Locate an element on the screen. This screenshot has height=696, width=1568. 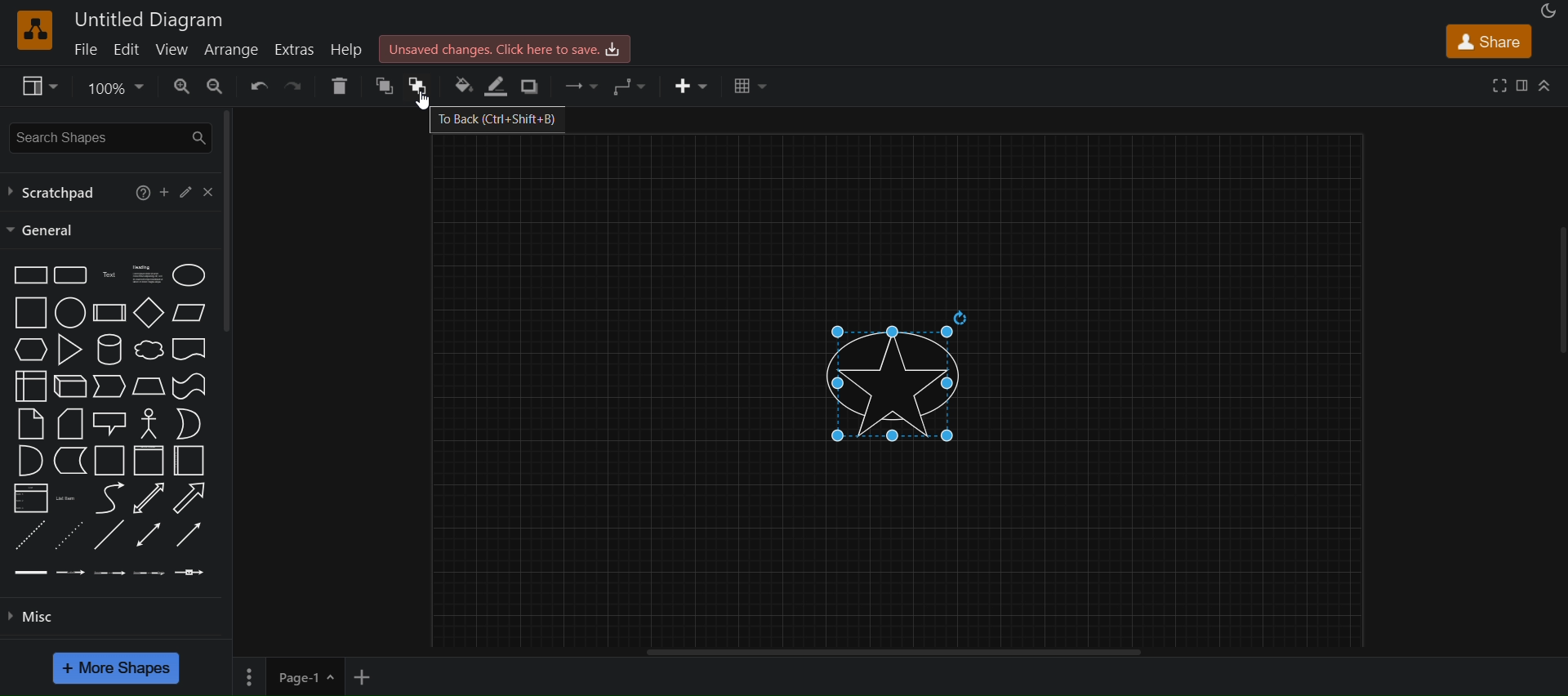
arrange is located at coordinates (230, 49).